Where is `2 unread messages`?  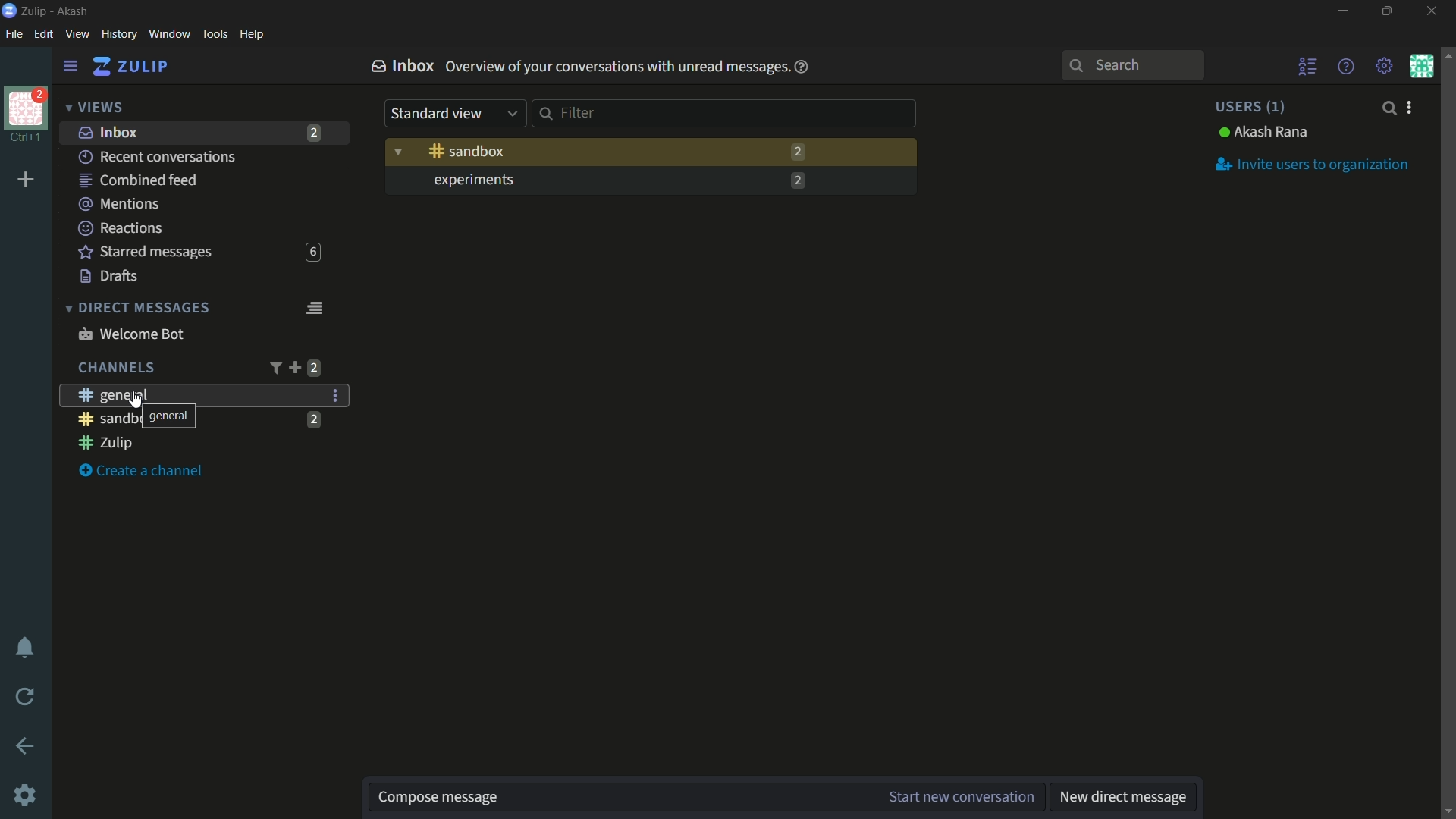
2 unread messages is located at coordinates (797, 152).